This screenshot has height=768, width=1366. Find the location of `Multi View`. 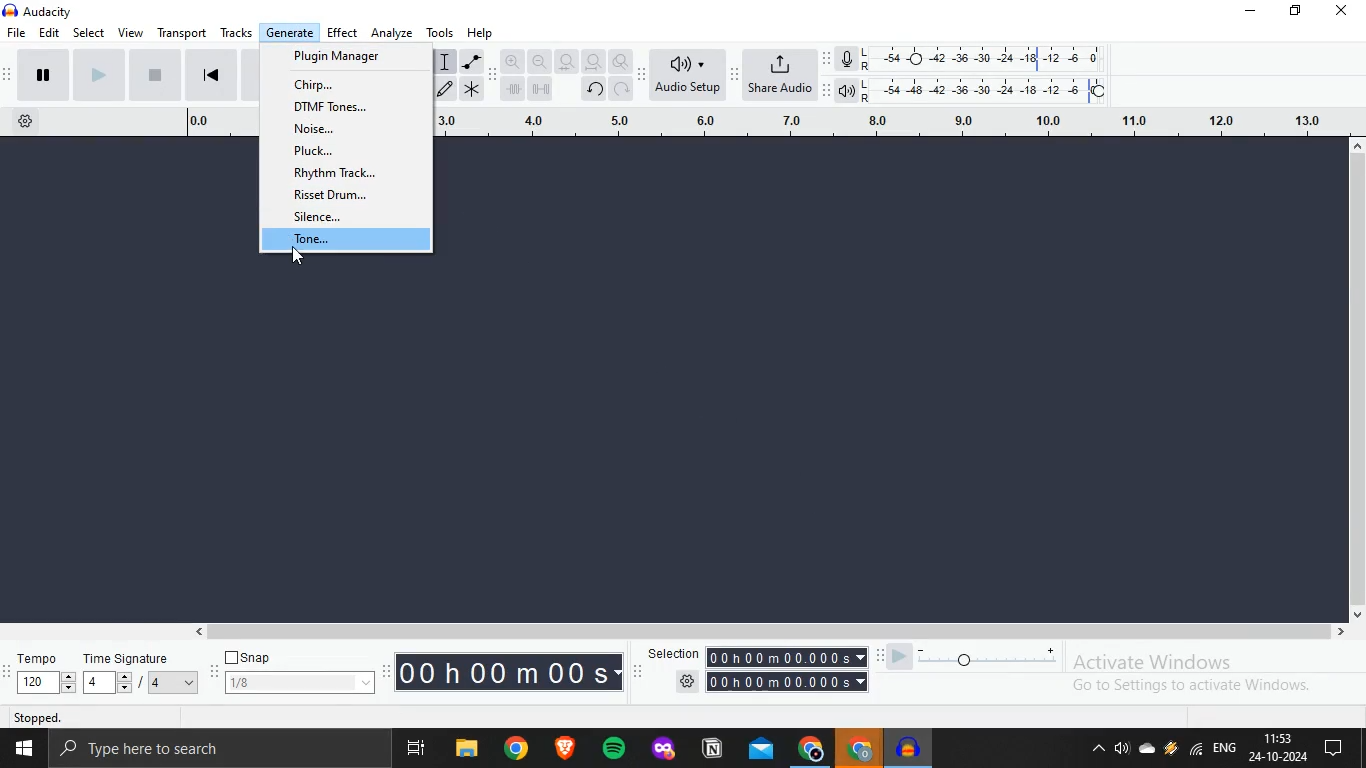

Multi View is located at coordinates (417, 749).